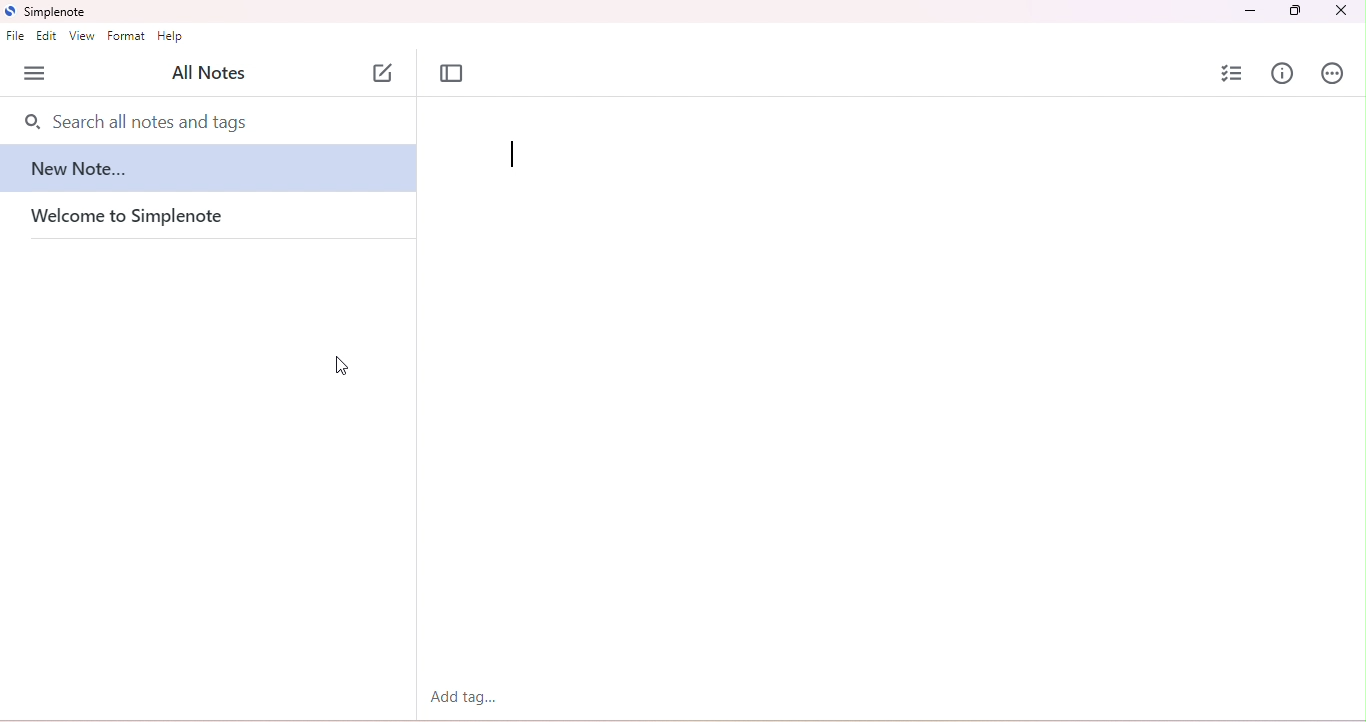  Describe the element at coordinates (127, 36) in the screenshot. I see `format` at that location.